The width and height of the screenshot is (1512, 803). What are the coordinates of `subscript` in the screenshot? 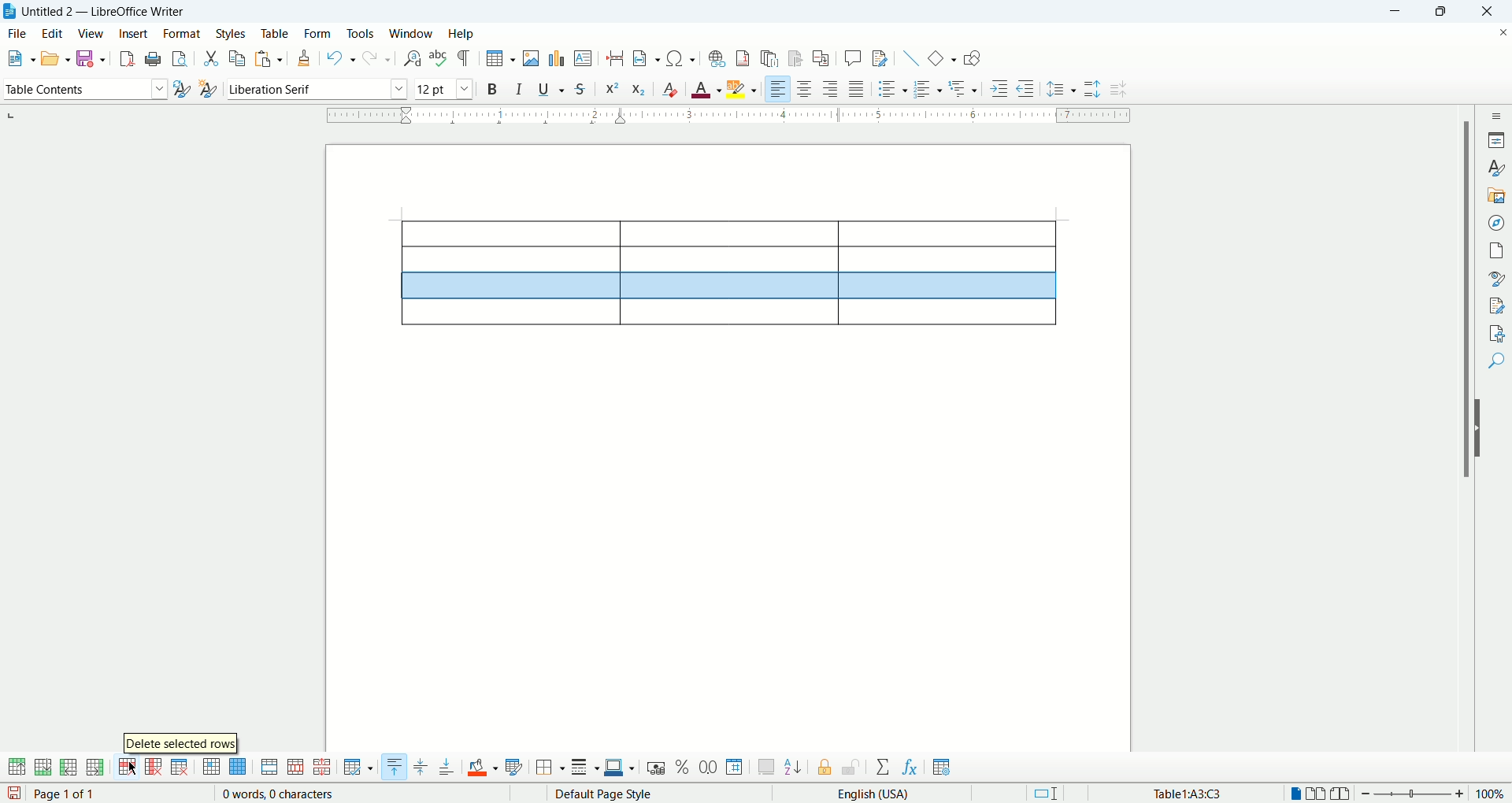 It's located at (638, 89).